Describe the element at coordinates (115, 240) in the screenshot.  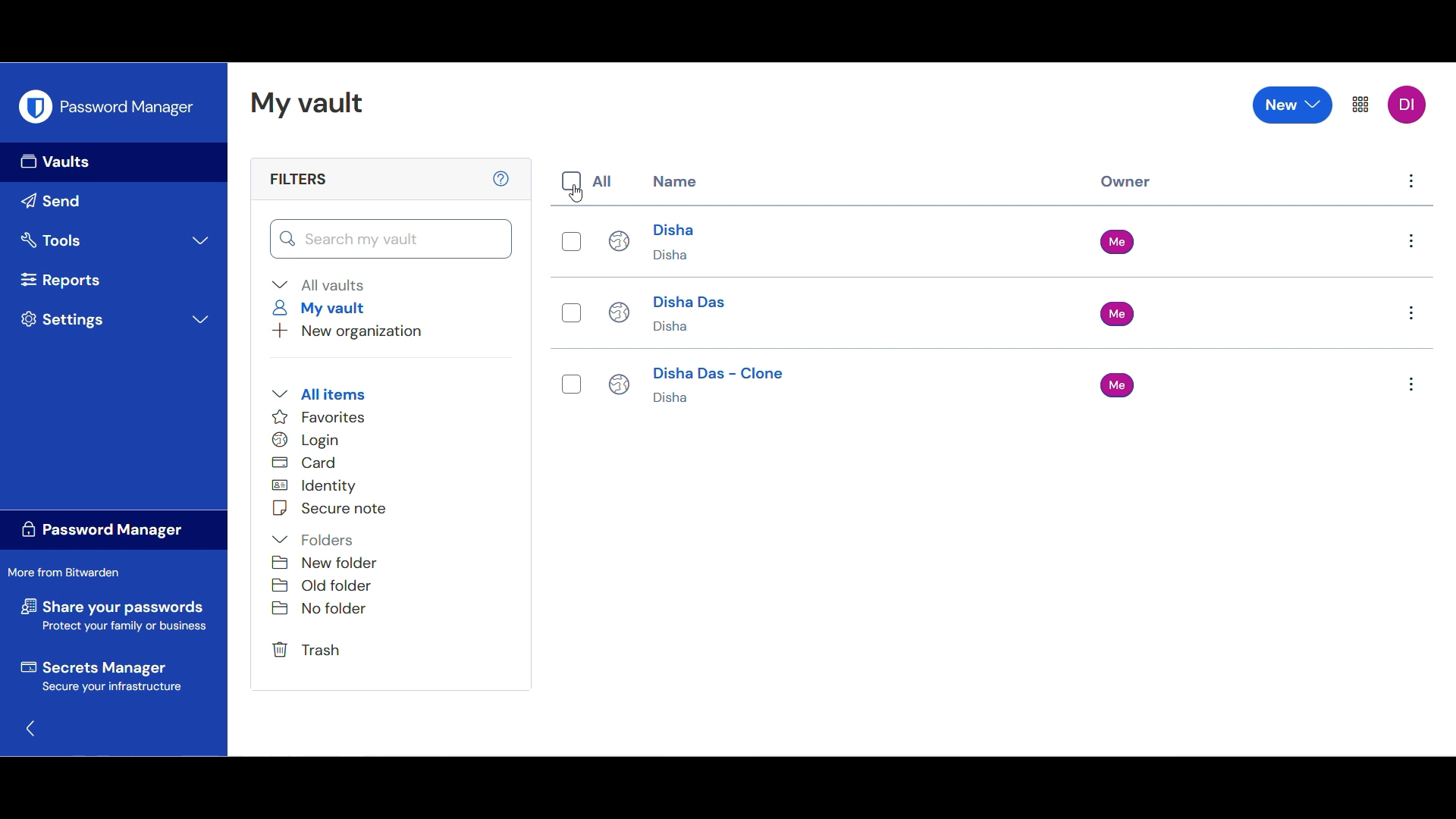
I see `Expand tools` at that location.